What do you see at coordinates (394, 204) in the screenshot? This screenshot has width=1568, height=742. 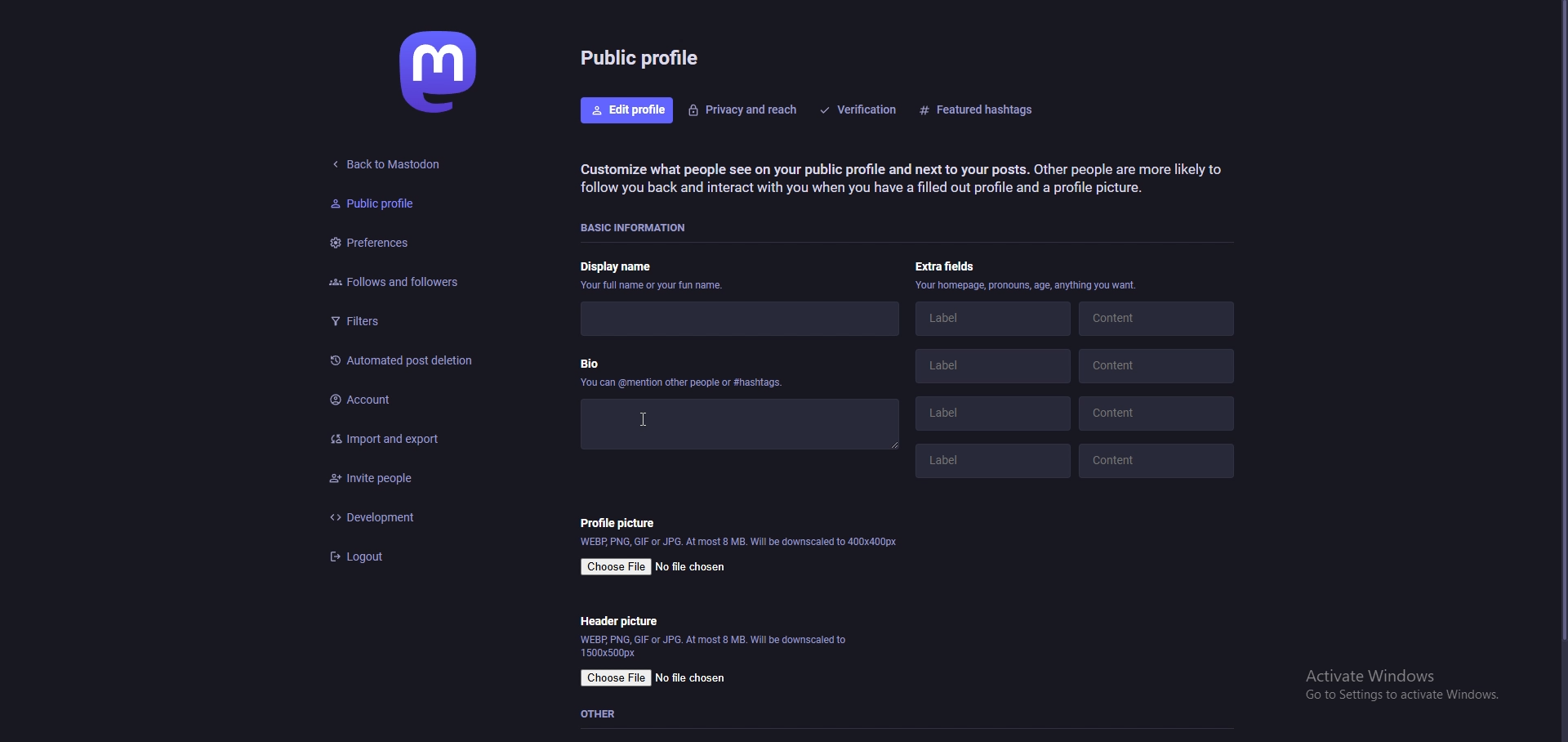 I see `public profile` at bounding box center [394, 204].